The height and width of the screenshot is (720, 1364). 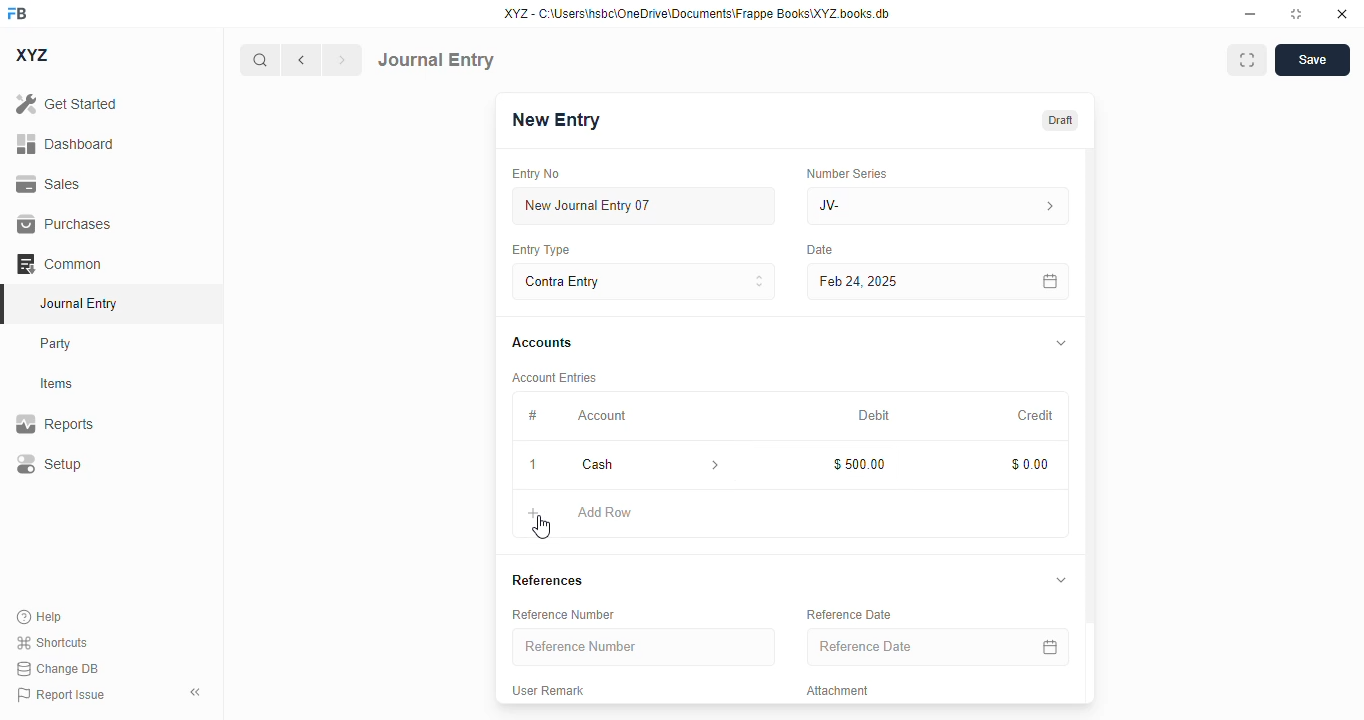 I want to click on toggle expand/collapse, so click(x=1062, y=342).